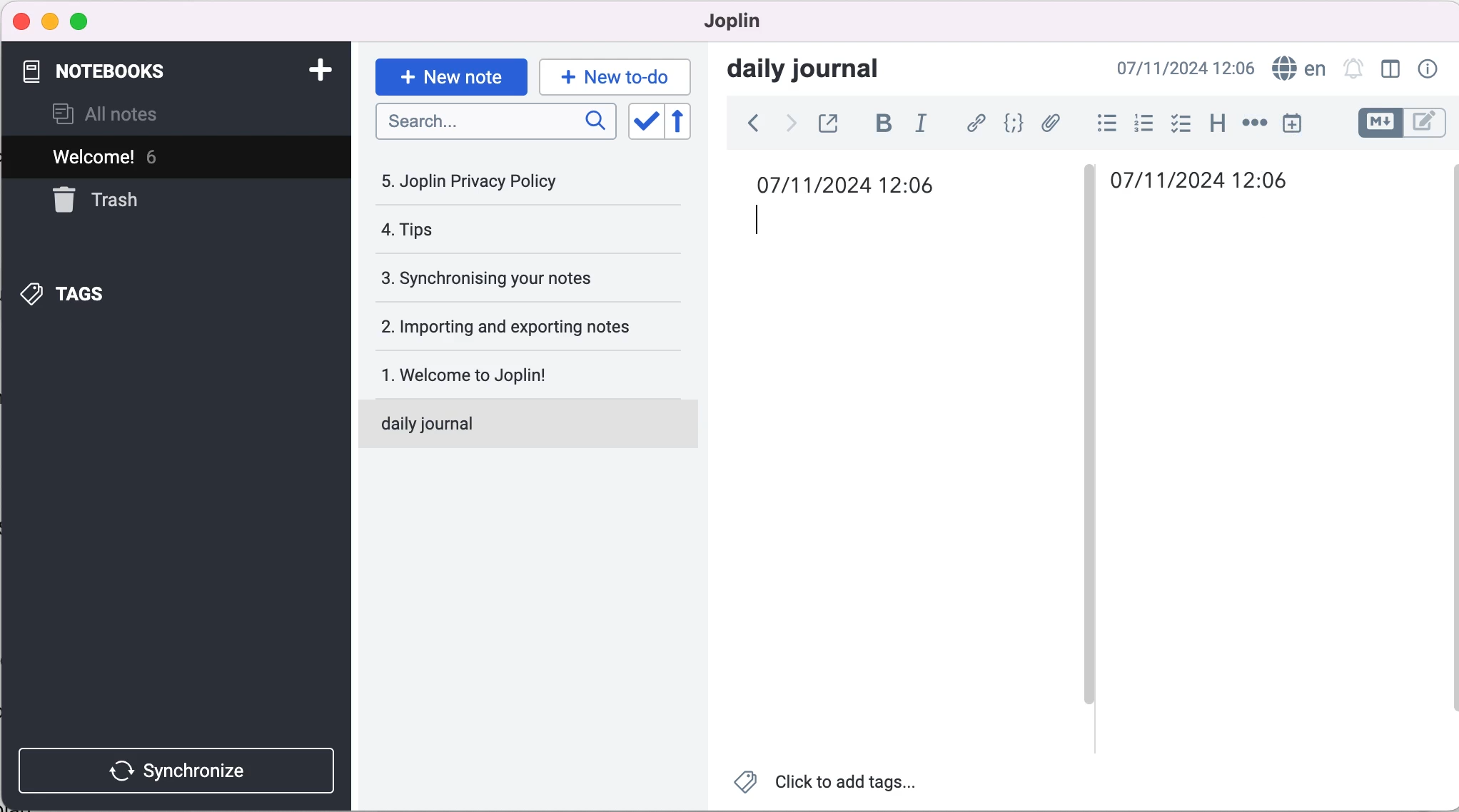 The image size is (1459, 812). What do you see at coordinates (1216, 123) in the screenshot?
I see `heading` at bounding box center [1216, 123].